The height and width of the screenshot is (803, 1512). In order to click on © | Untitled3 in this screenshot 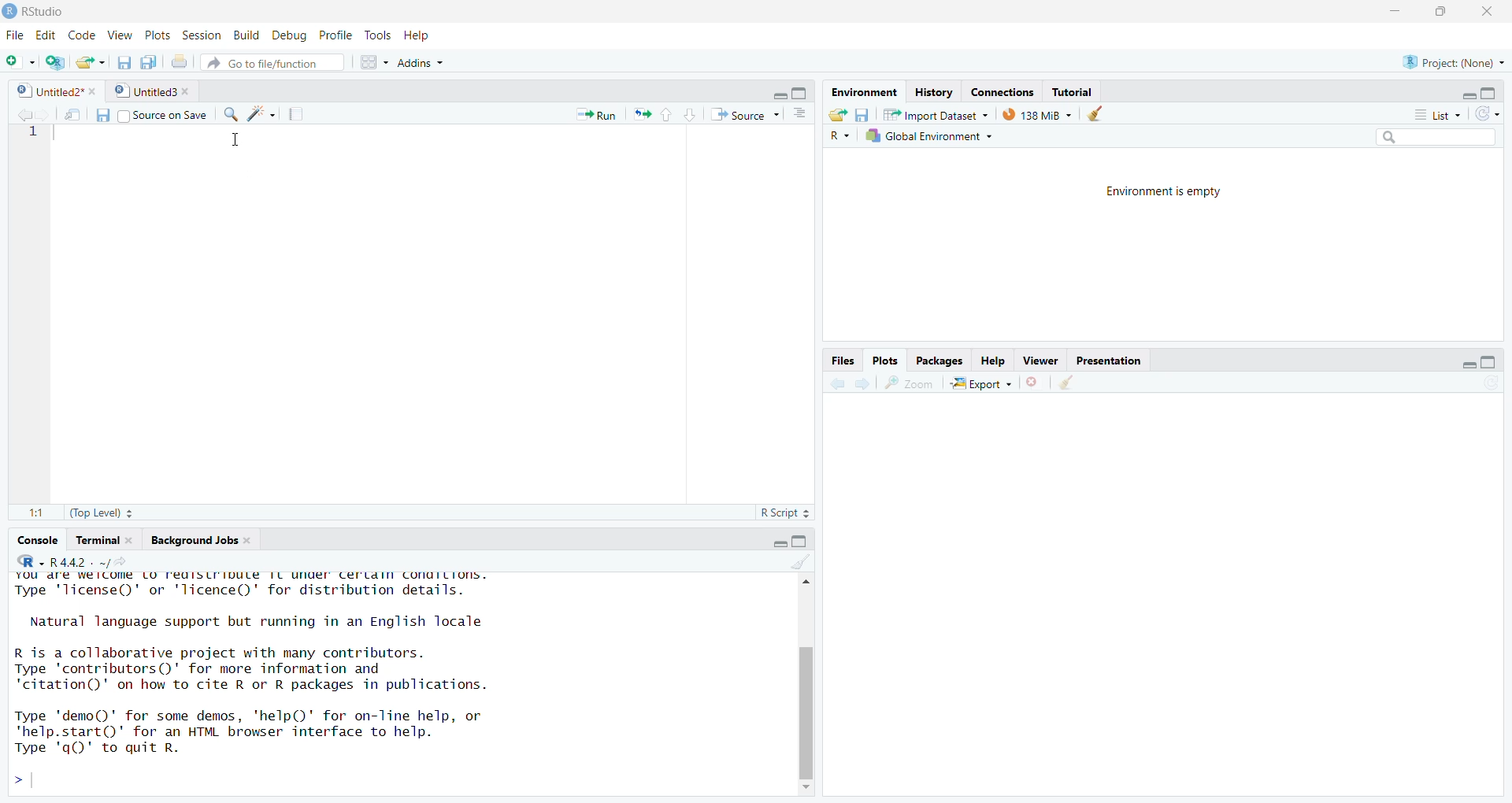, I will do `click(139, 90)`.